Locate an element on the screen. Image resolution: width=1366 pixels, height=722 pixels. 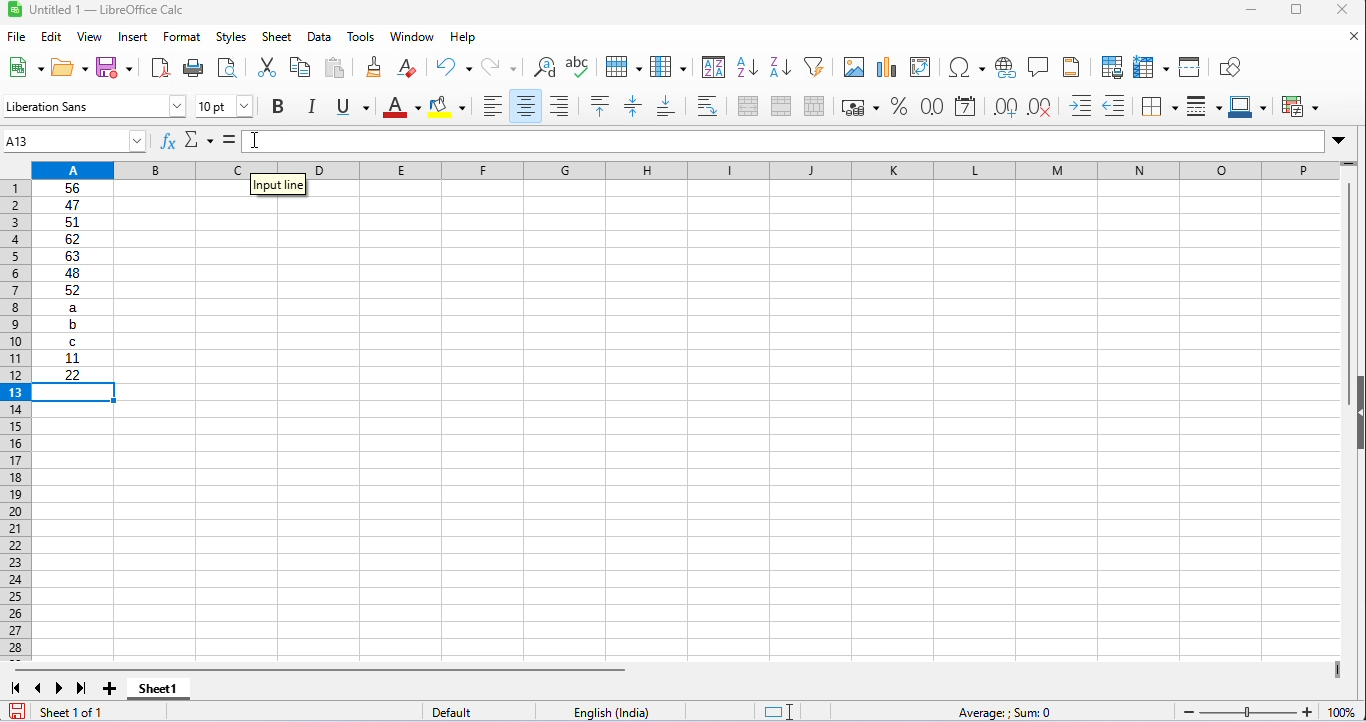
Indicates standard selection is located at coordinates (778, 712).